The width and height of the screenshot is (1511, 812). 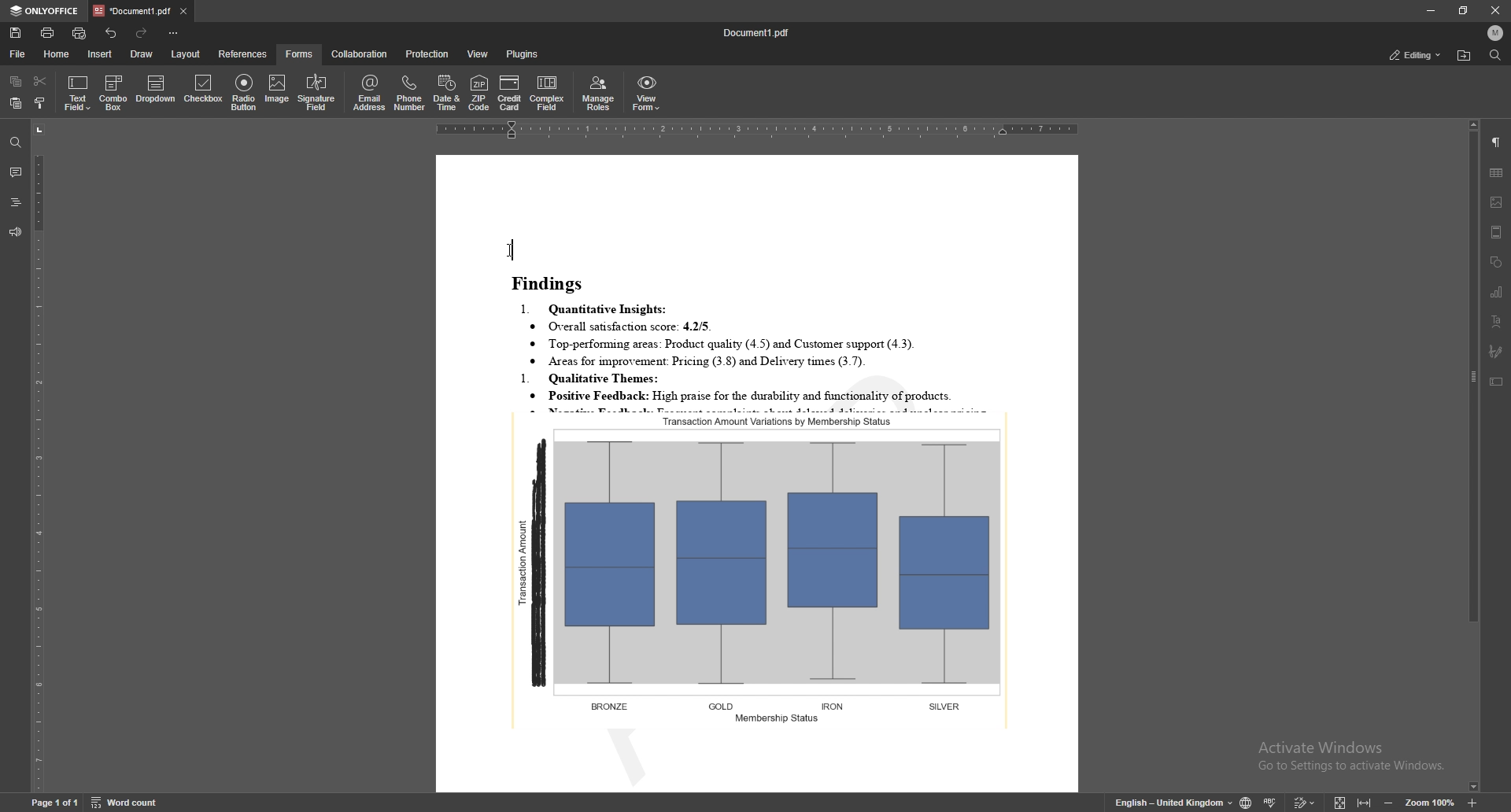 I want to click on dropdown, so click(x=155, y=90).